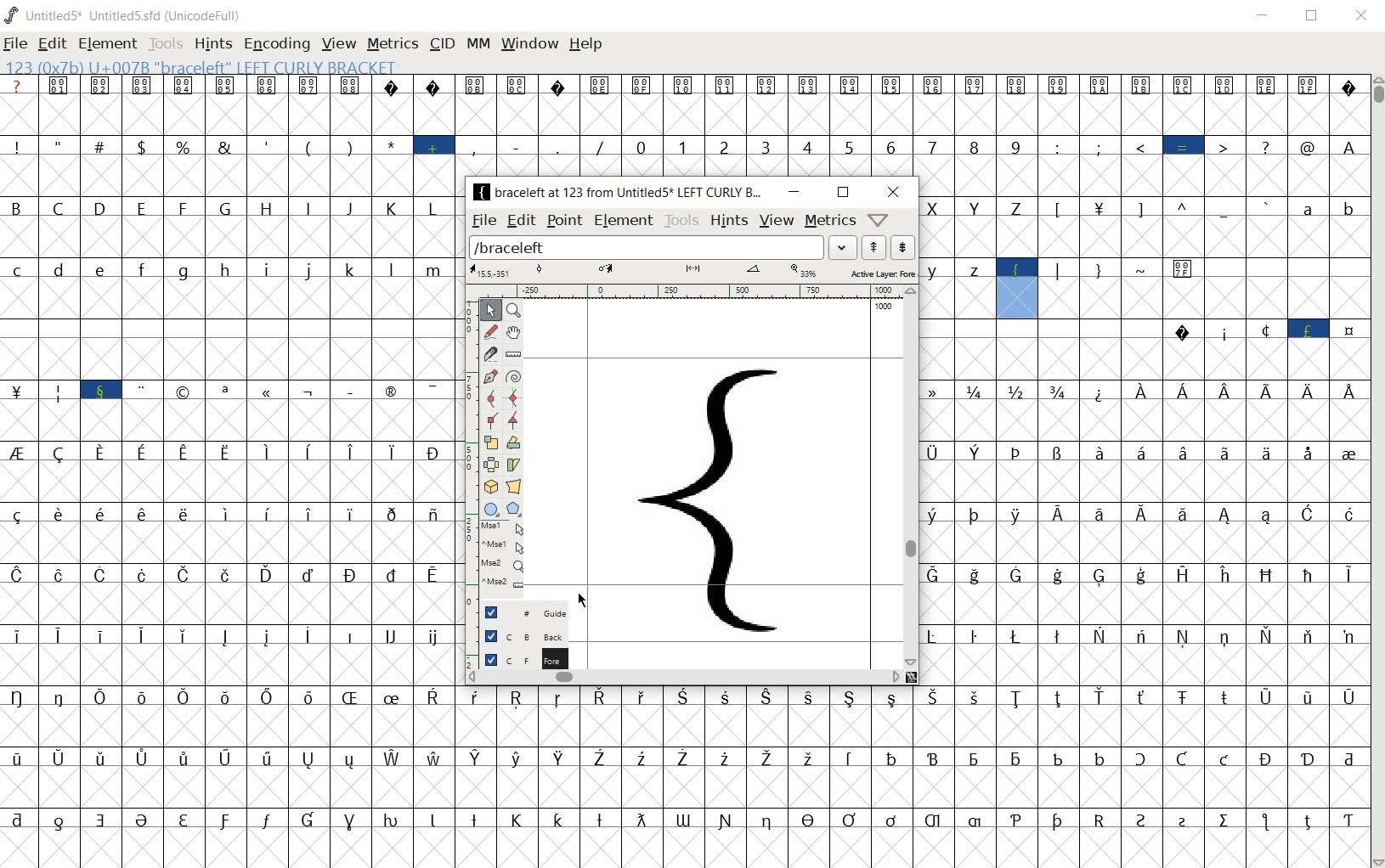 This screenshot has height=868, width=1385. Describe the element at coordinates (514, 465) in the screenshot. I see `Rotate the selection` at that location.